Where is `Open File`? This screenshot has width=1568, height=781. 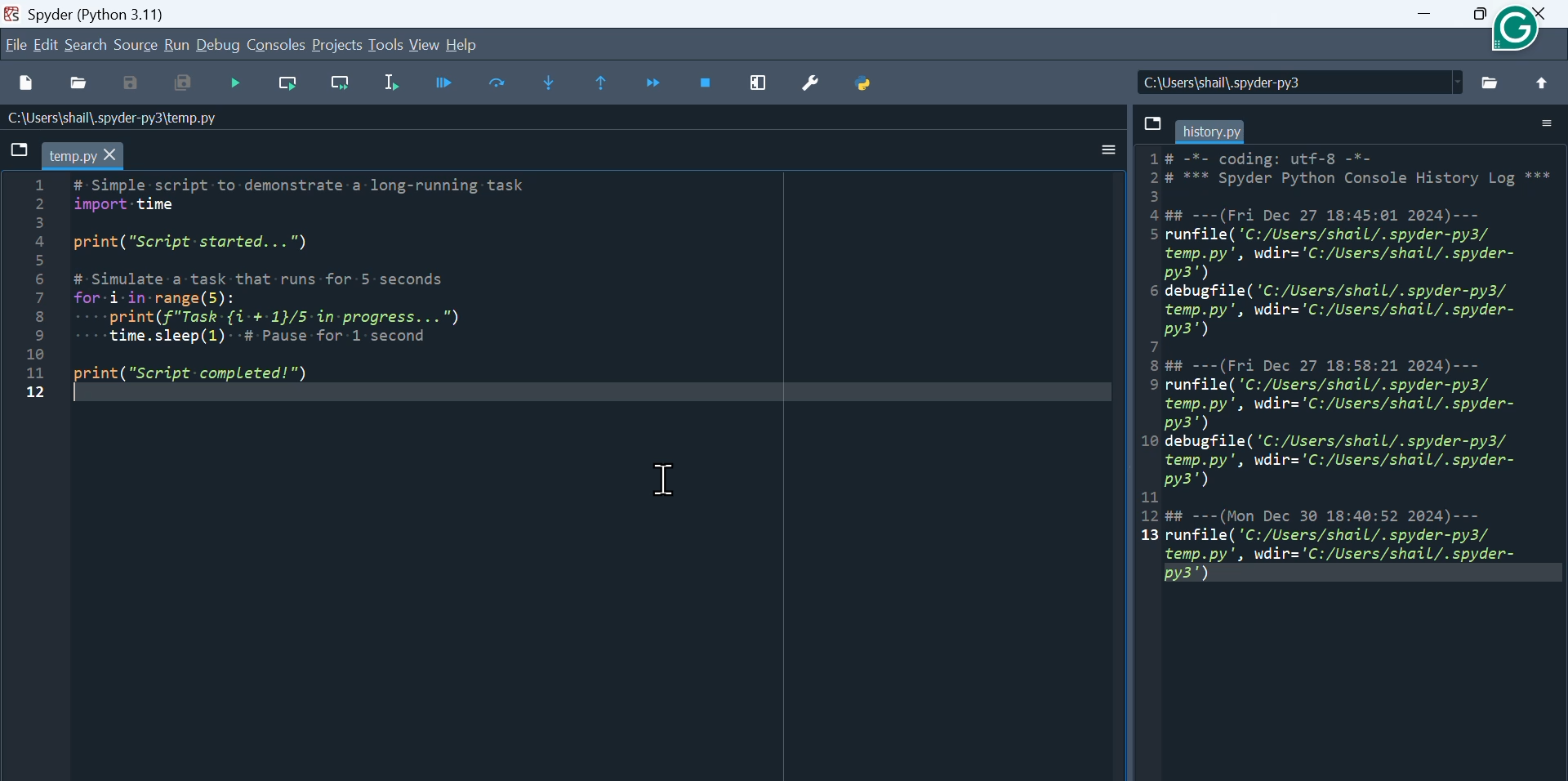 Open File is located at coordinates (79, 87).